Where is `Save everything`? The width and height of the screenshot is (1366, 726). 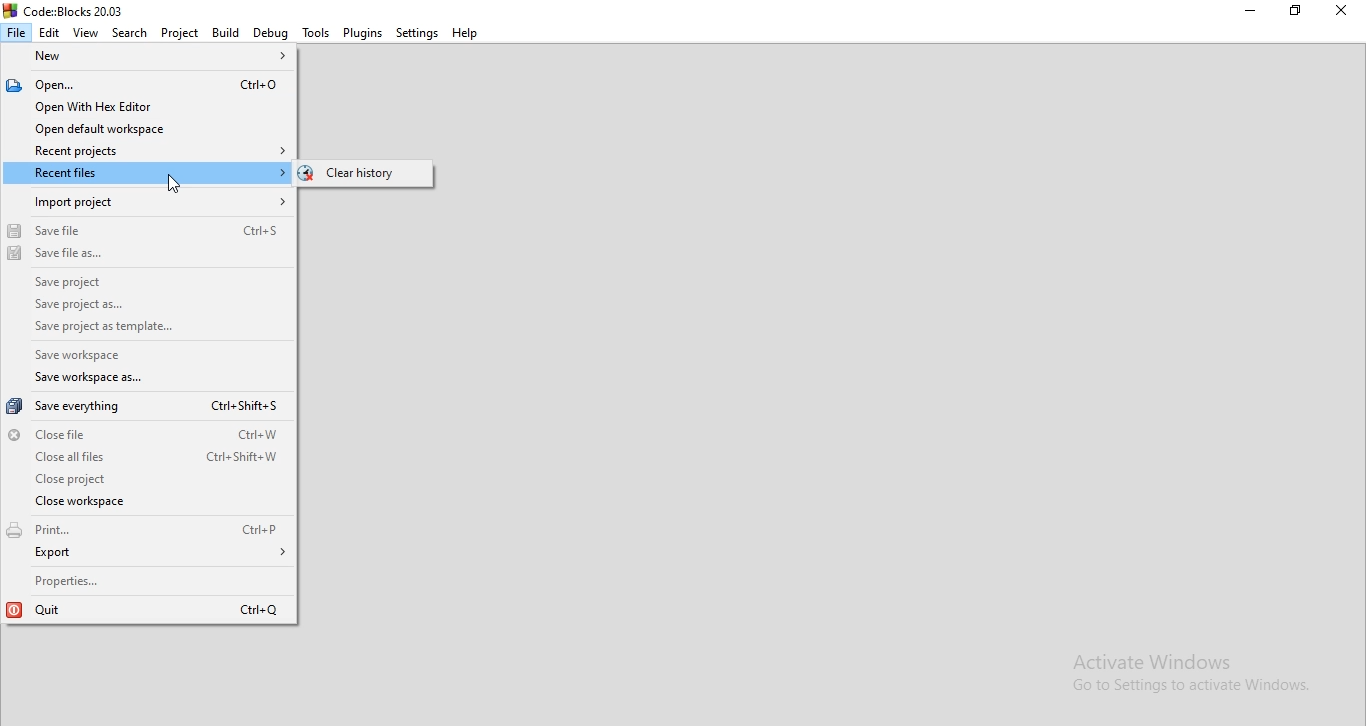 Save everything is located at coordinates (144, 408).